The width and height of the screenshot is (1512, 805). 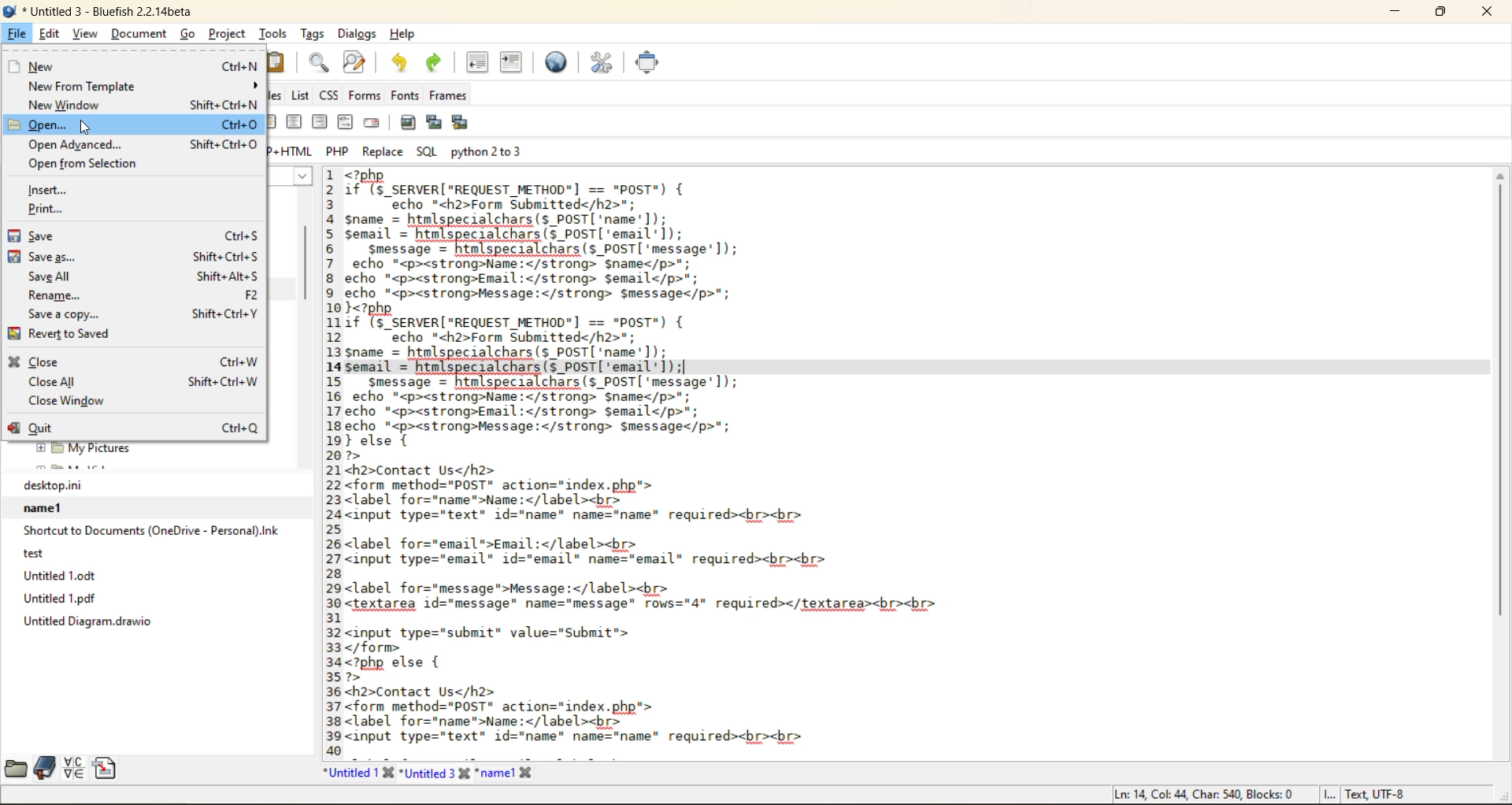 What do you see at coordinates (437, 62) in the screenshot?
I see `redo` at bounding box center [437, 62].